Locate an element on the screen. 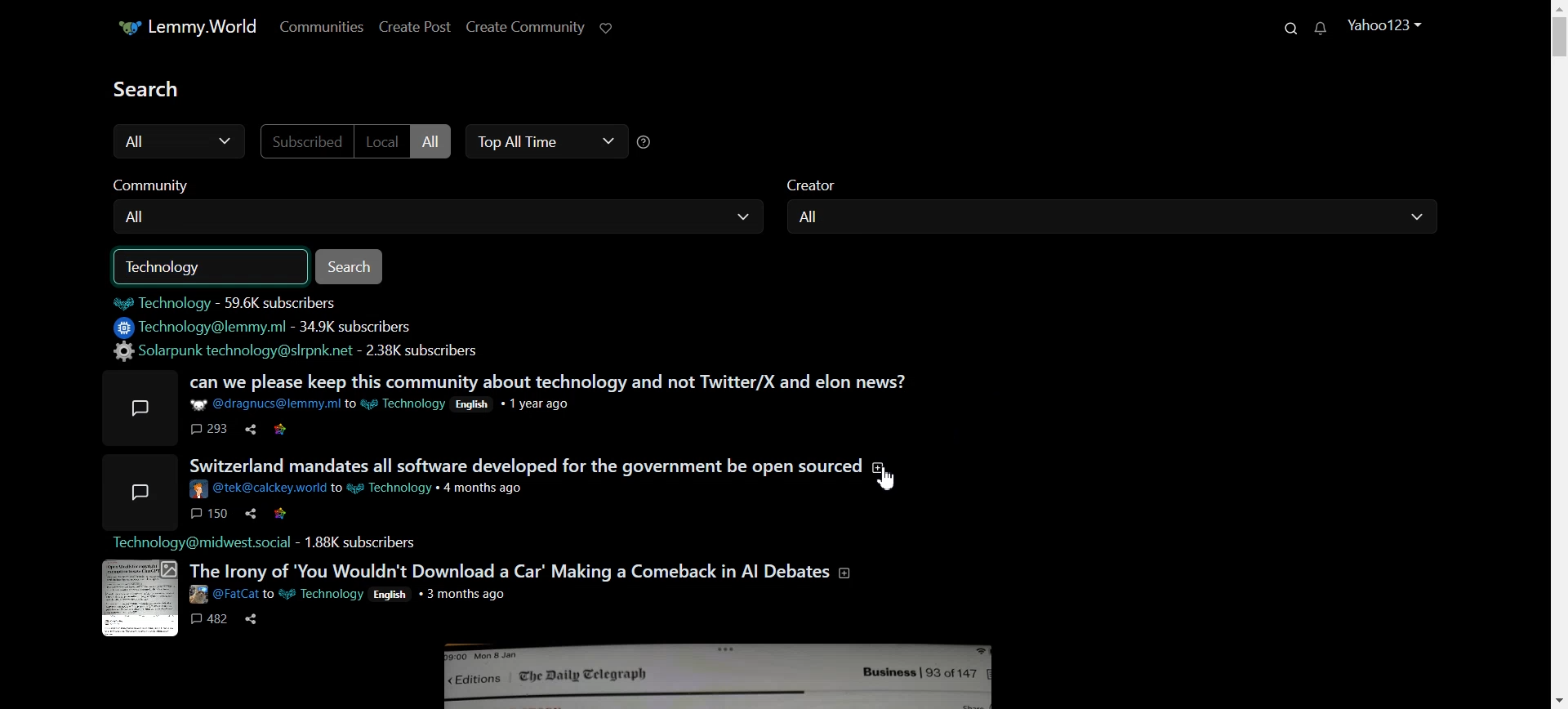 This screenshot has width=1568, height=709. 482 comment is located at coordinates (212, 619).